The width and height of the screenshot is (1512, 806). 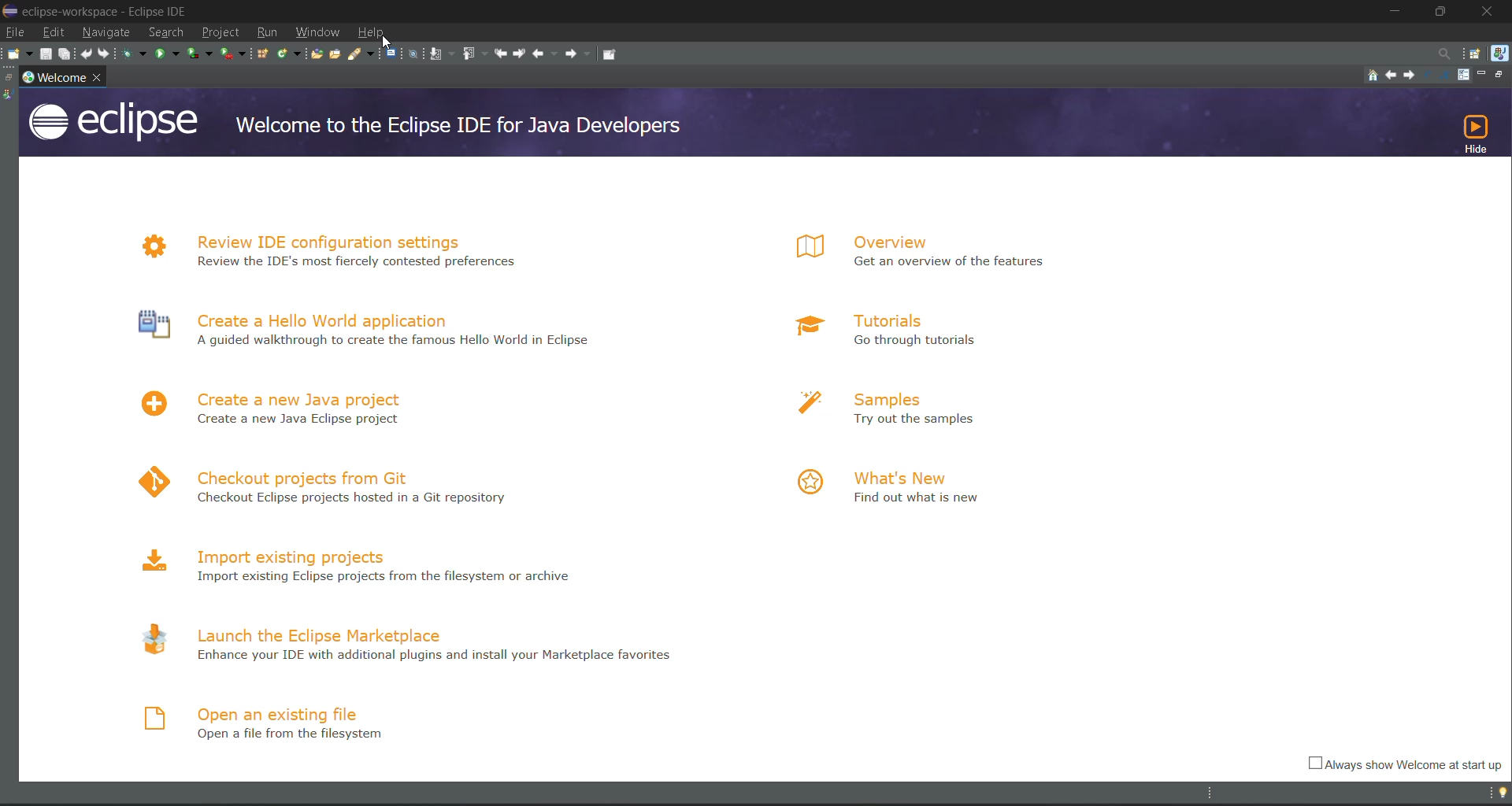 I want to click on launch the eclipse marketplace, so click(x=414, y=630).